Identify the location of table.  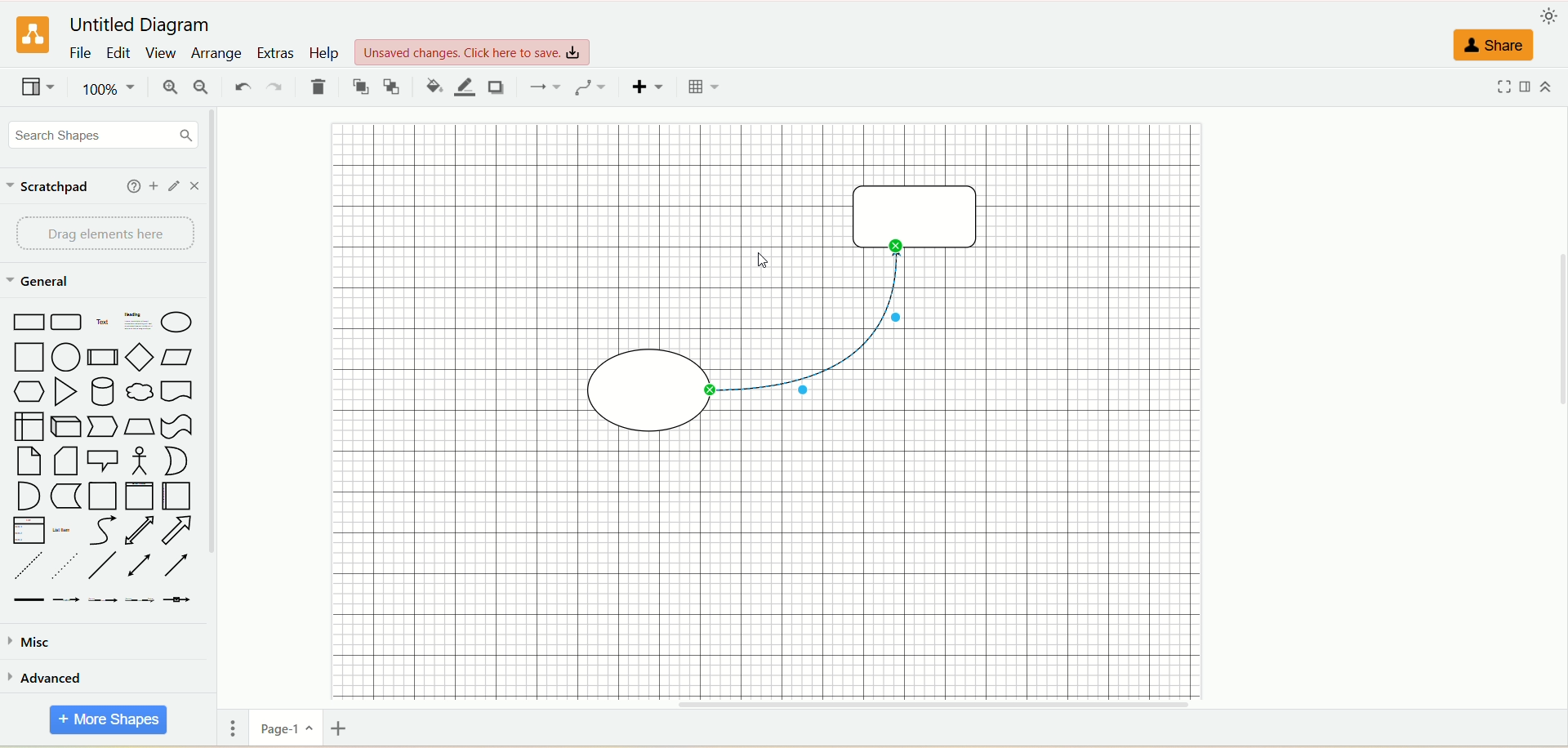
(702, 87).